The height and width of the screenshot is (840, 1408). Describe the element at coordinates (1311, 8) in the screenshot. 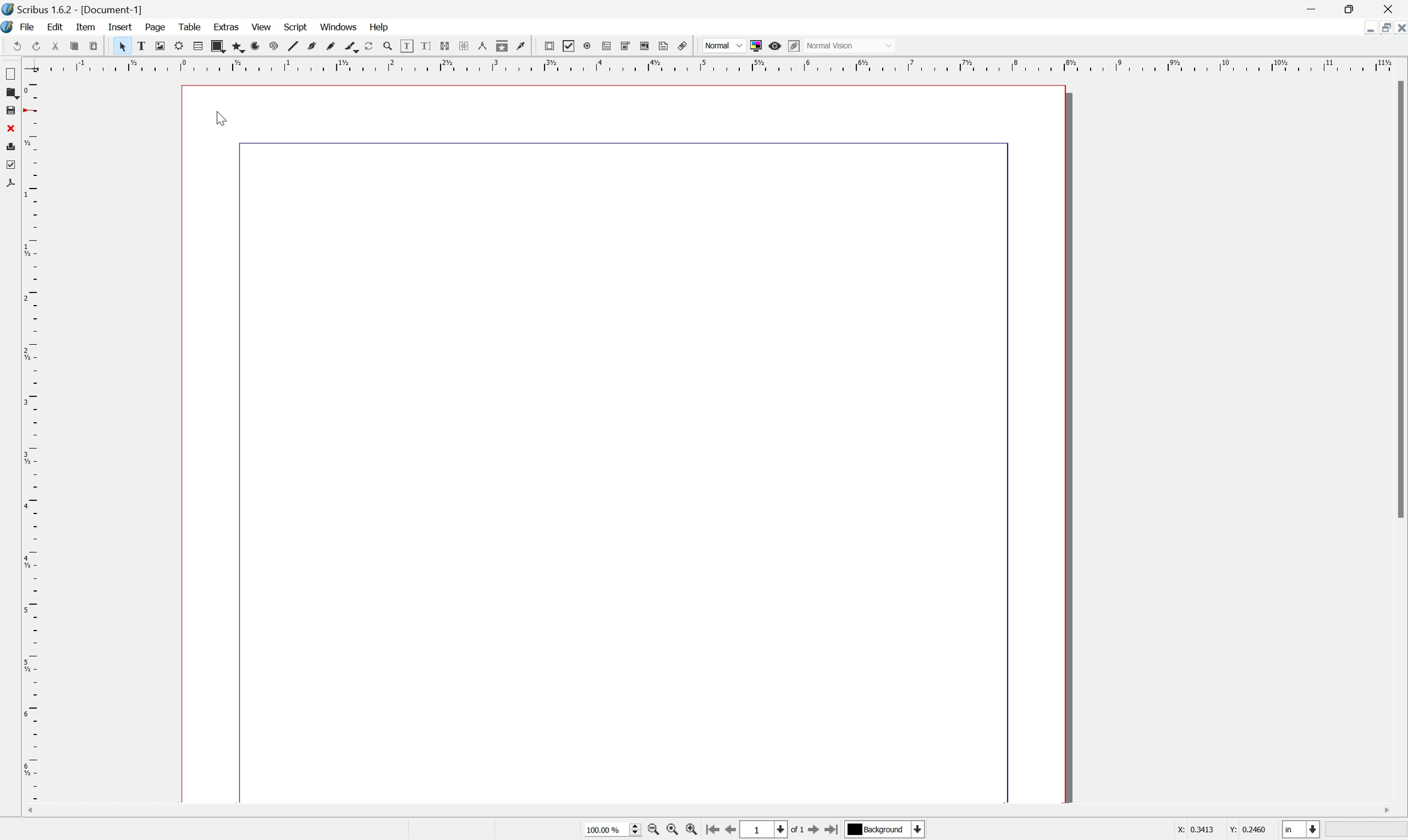

I see `minimize` at that location.